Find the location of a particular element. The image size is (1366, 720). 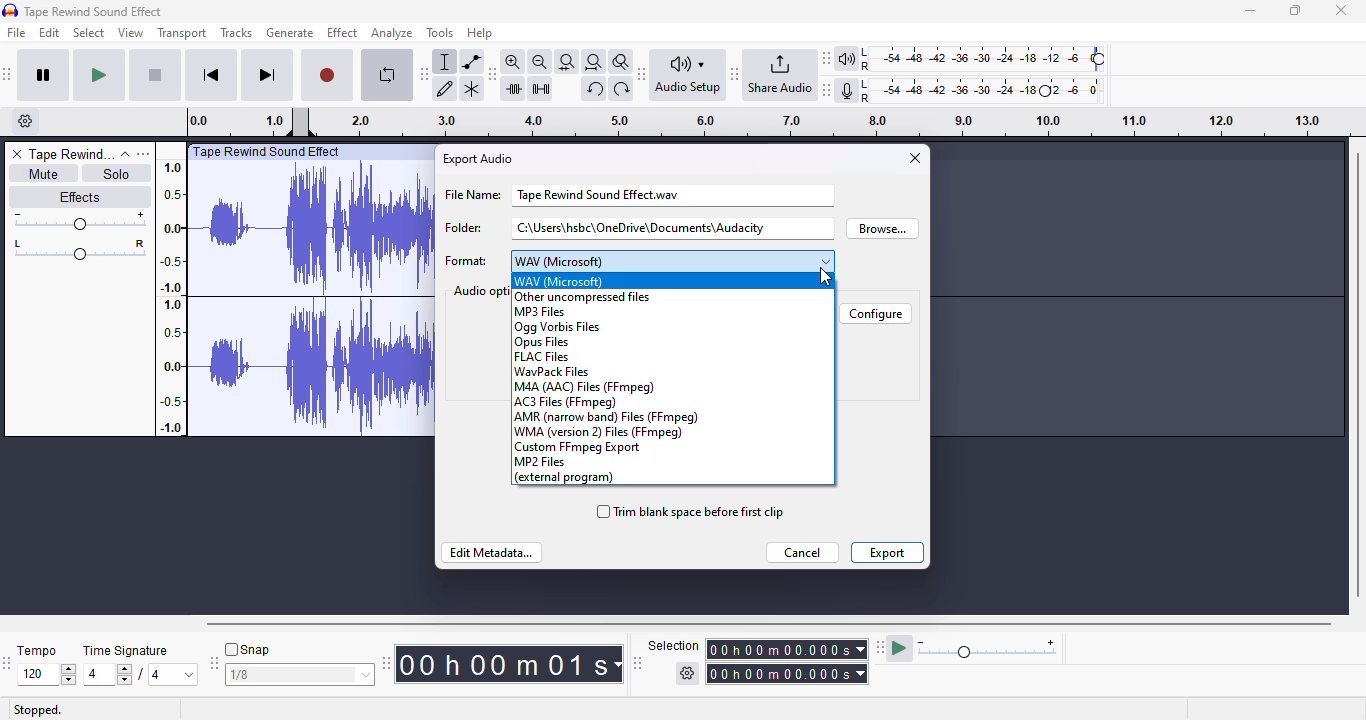

opus files is located at coordinates (541, 343).